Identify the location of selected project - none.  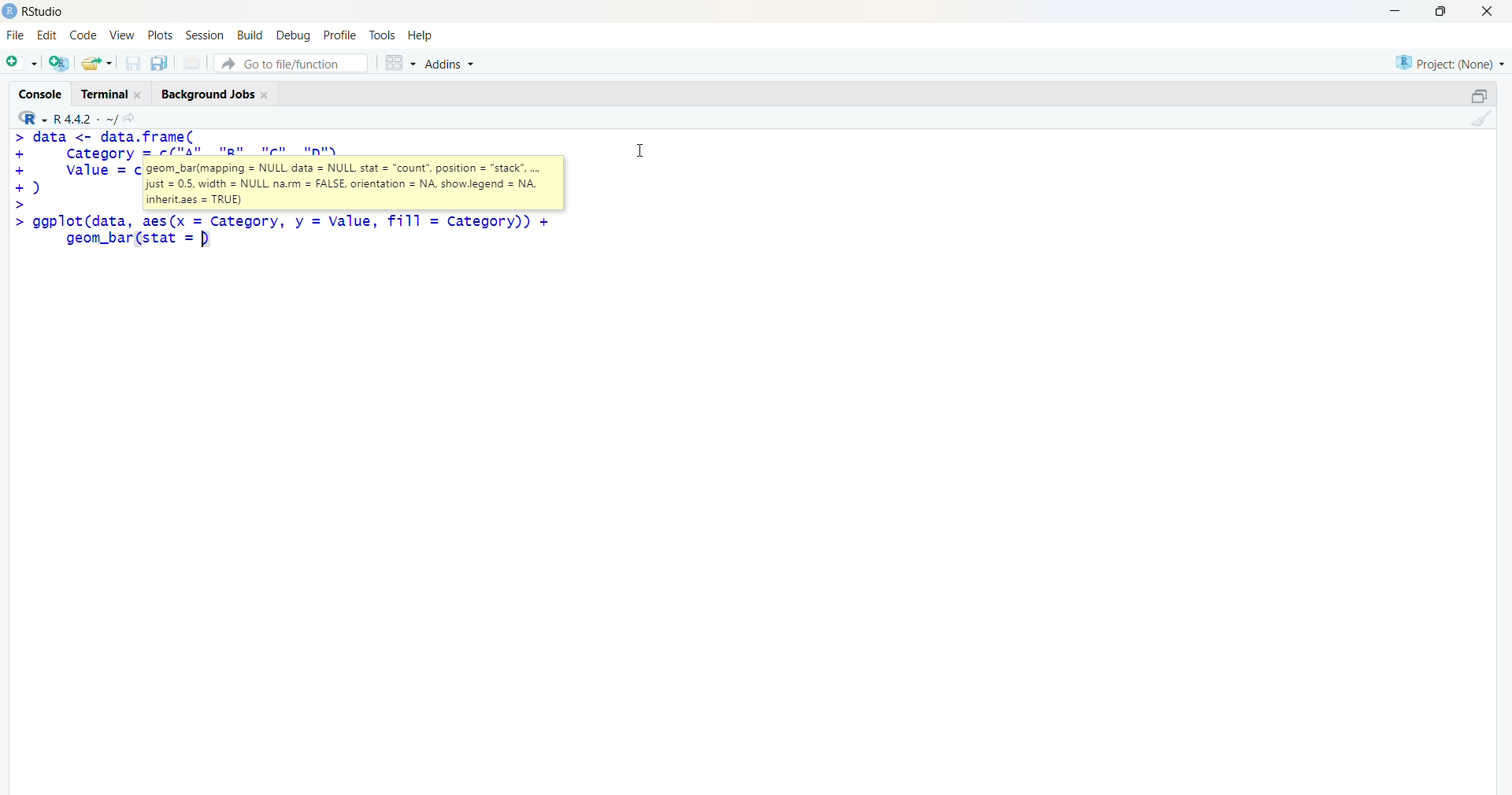
(1452, 62).